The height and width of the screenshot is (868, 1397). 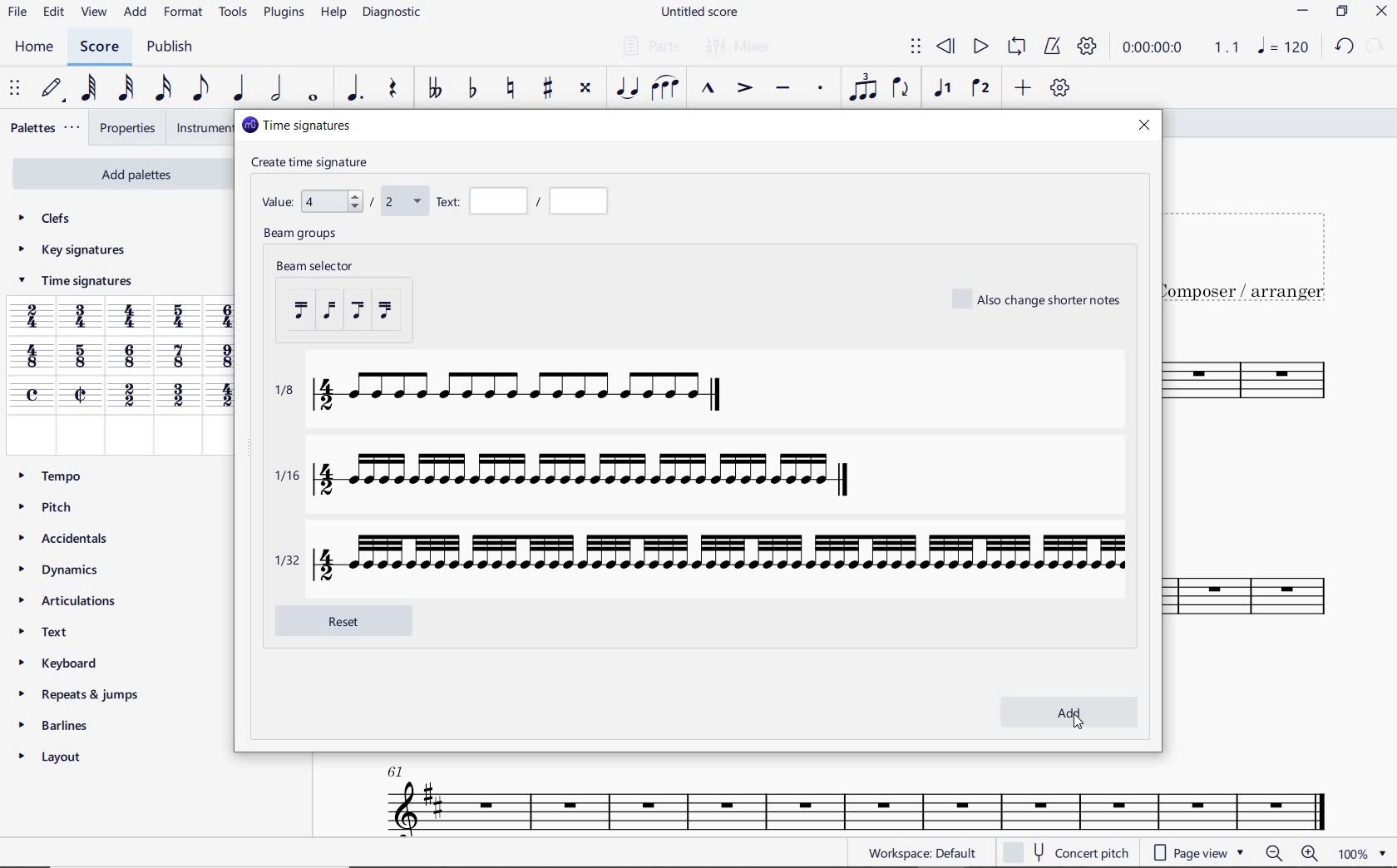 I want to click on EIGHTH NOTE, so click(x=200, y=89).